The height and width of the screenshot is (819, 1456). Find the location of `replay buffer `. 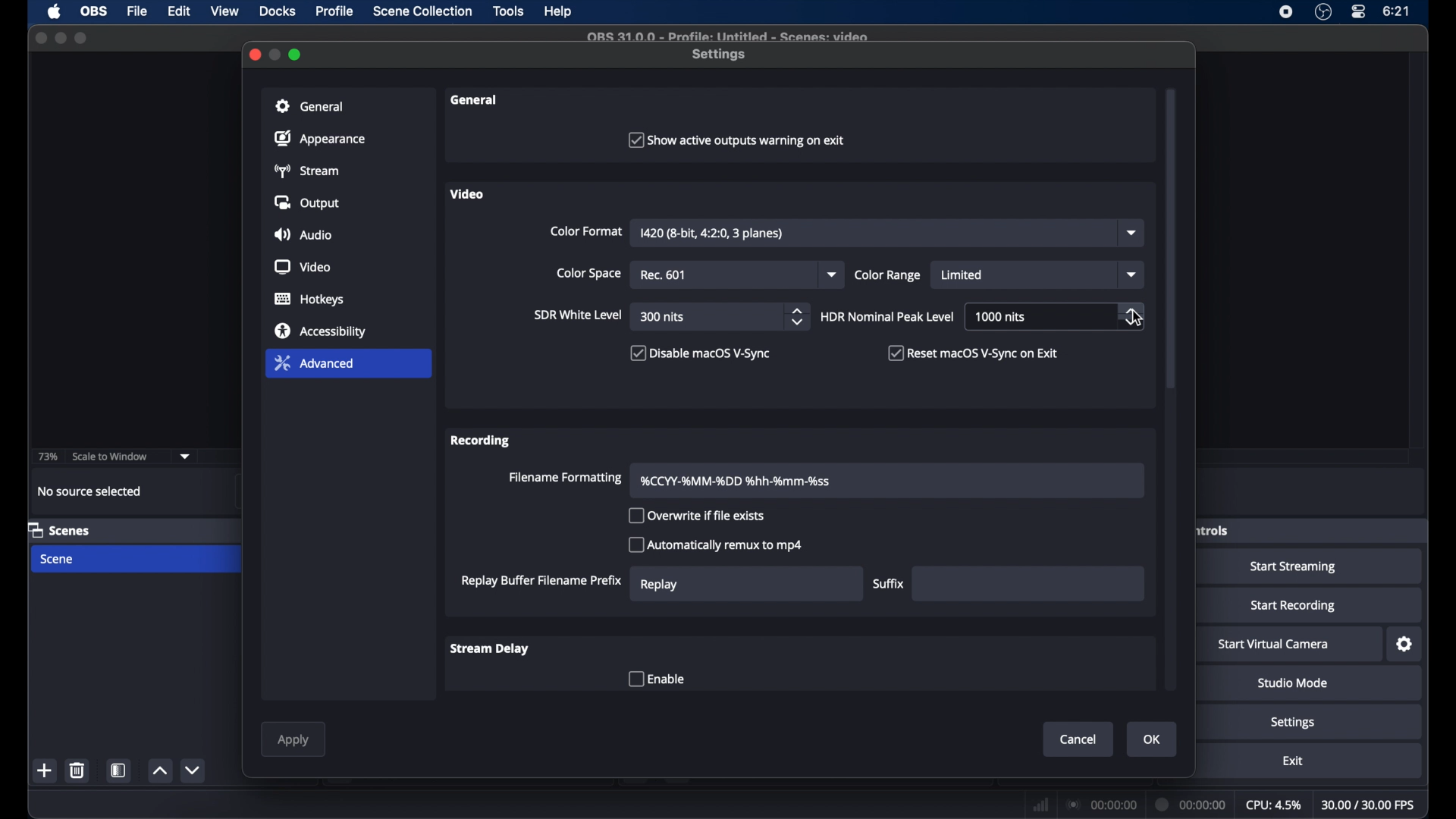

replay buffer  is located at coordinates (542, 582).